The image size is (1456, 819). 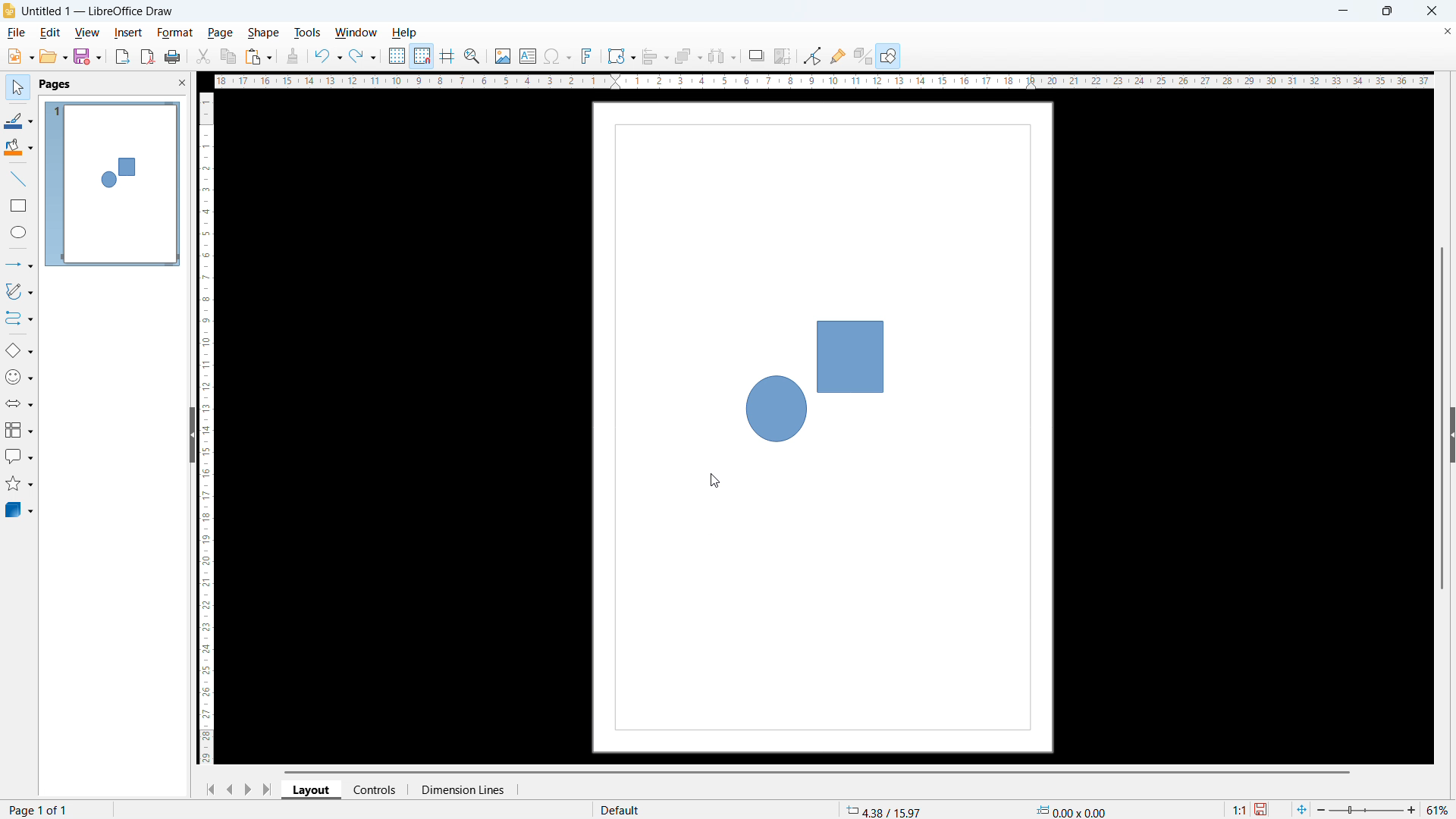 I want to click on pages, so click(x=56, y=83).